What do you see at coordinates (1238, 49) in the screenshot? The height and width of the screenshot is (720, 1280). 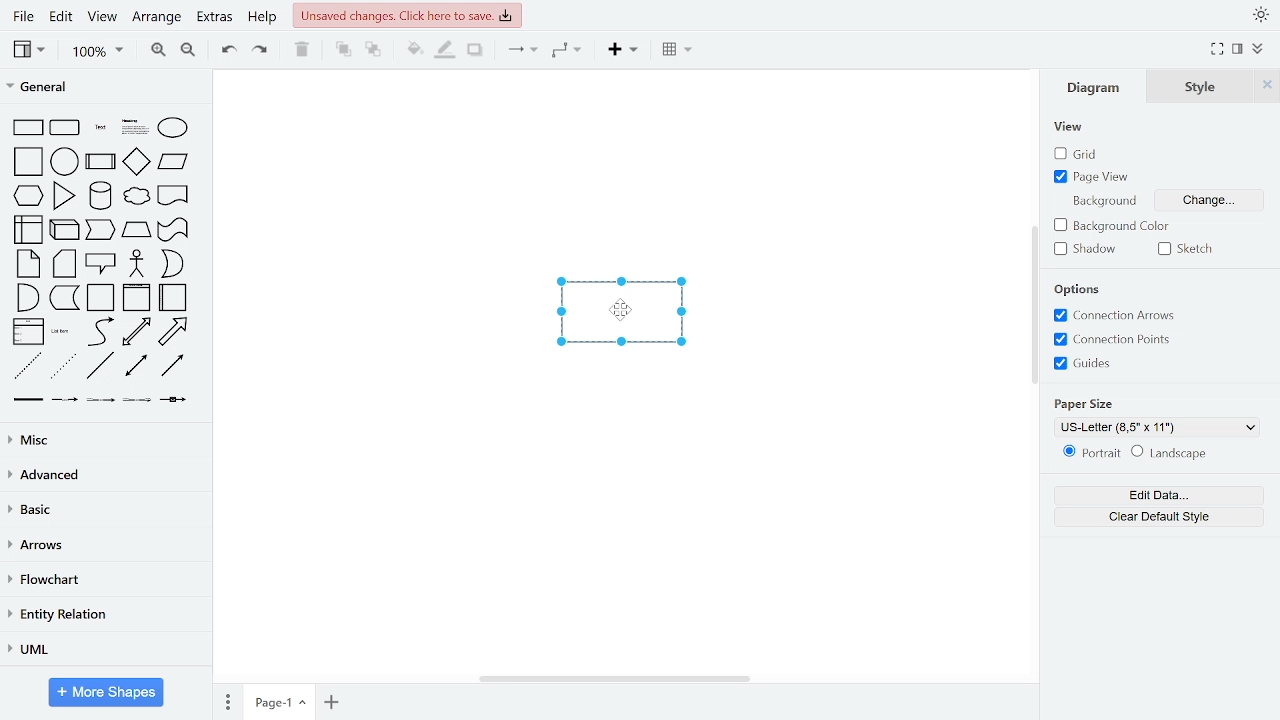 I see `format` at bounding box center [1238, 49].